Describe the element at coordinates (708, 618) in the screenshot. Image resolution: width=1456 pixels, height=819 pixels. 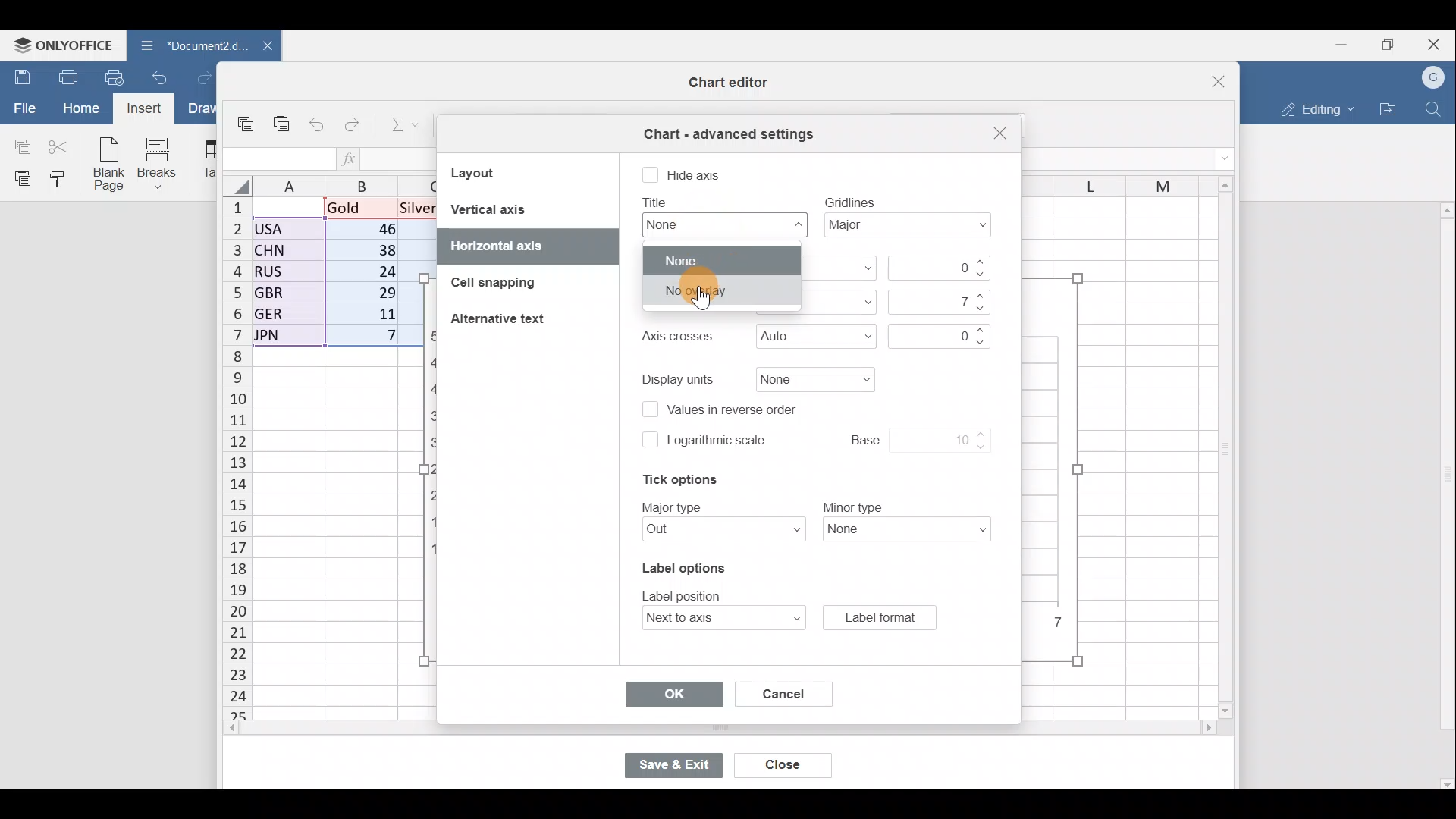
I see `Label position` at that location.